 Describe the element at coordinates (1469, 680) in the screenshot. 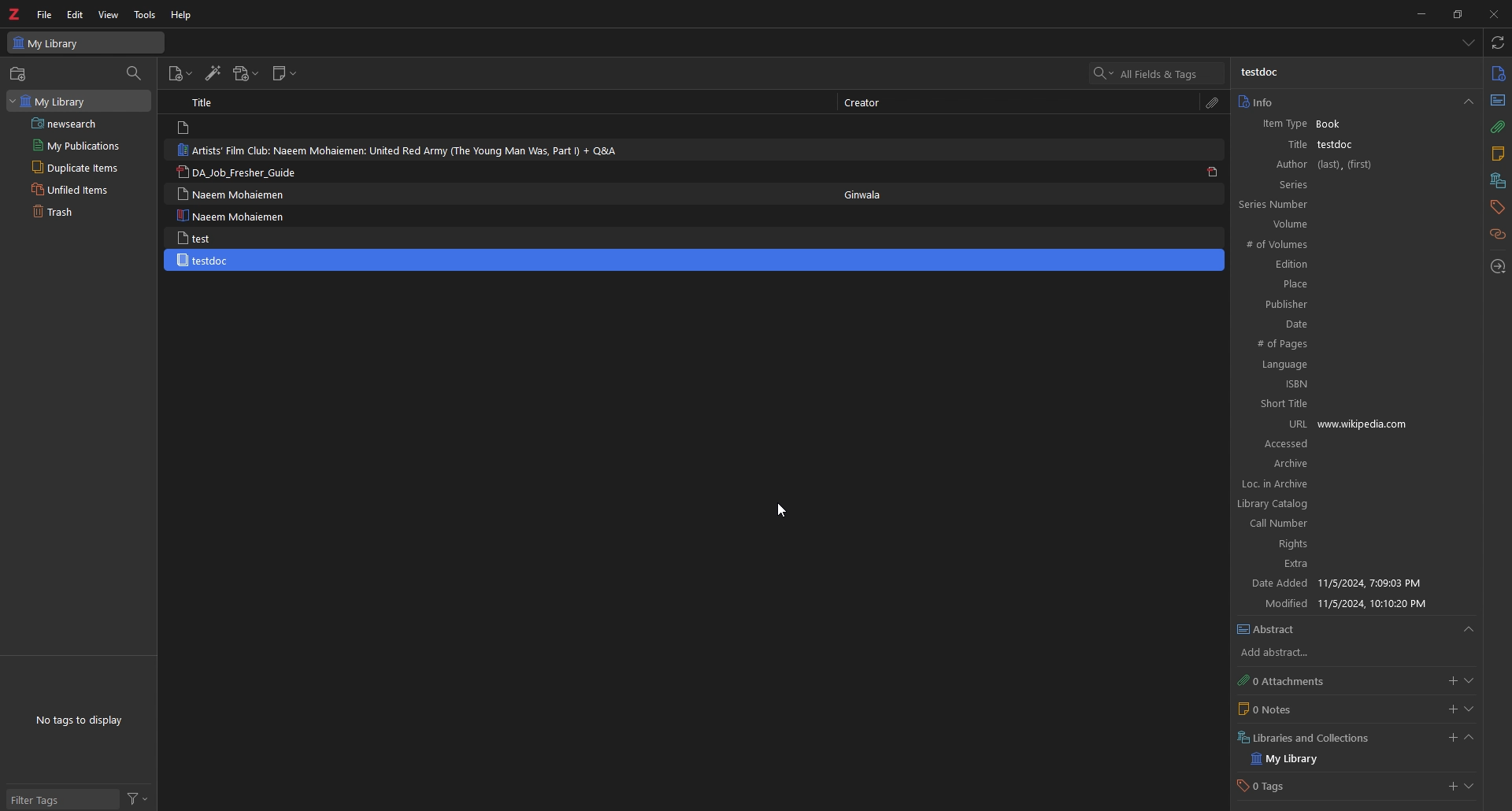

I see `show` at that location.